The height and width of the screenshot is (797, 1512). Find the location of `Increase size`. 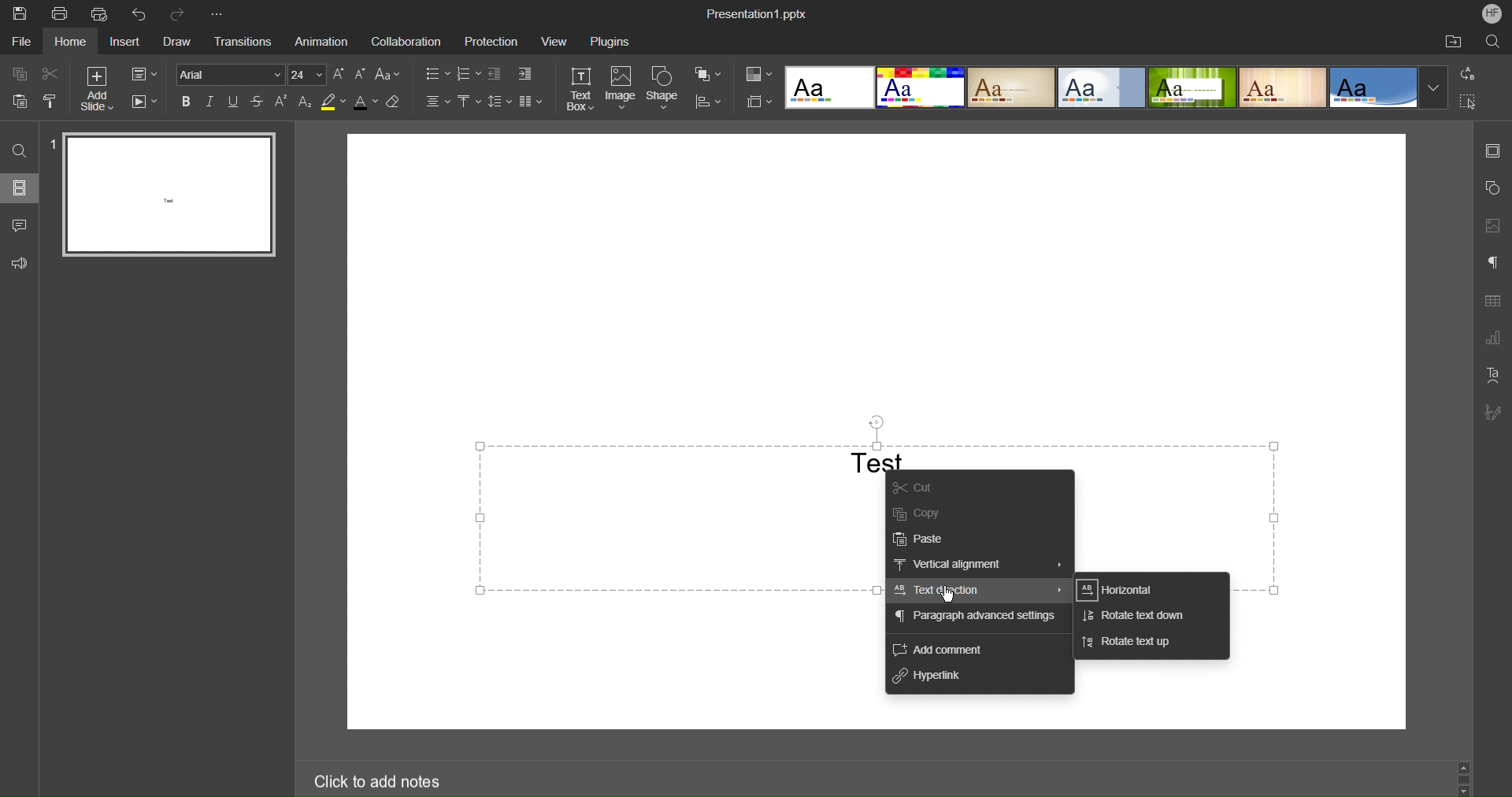

Increase size is located at coordinates (340, 73).